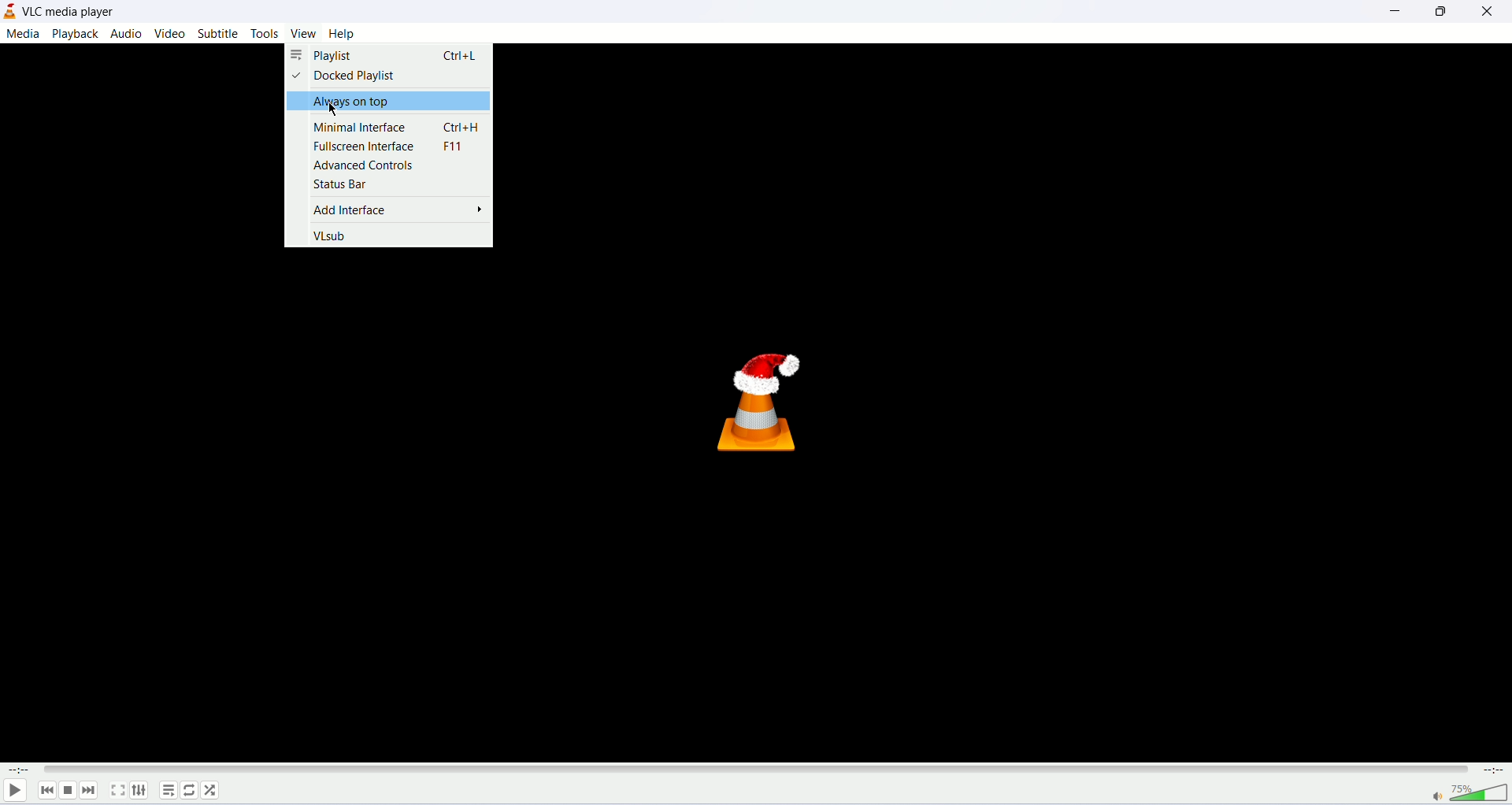 Image resolution: width=1512 pixels, height=805 pixels. I want to click on video, so click(171, 33).